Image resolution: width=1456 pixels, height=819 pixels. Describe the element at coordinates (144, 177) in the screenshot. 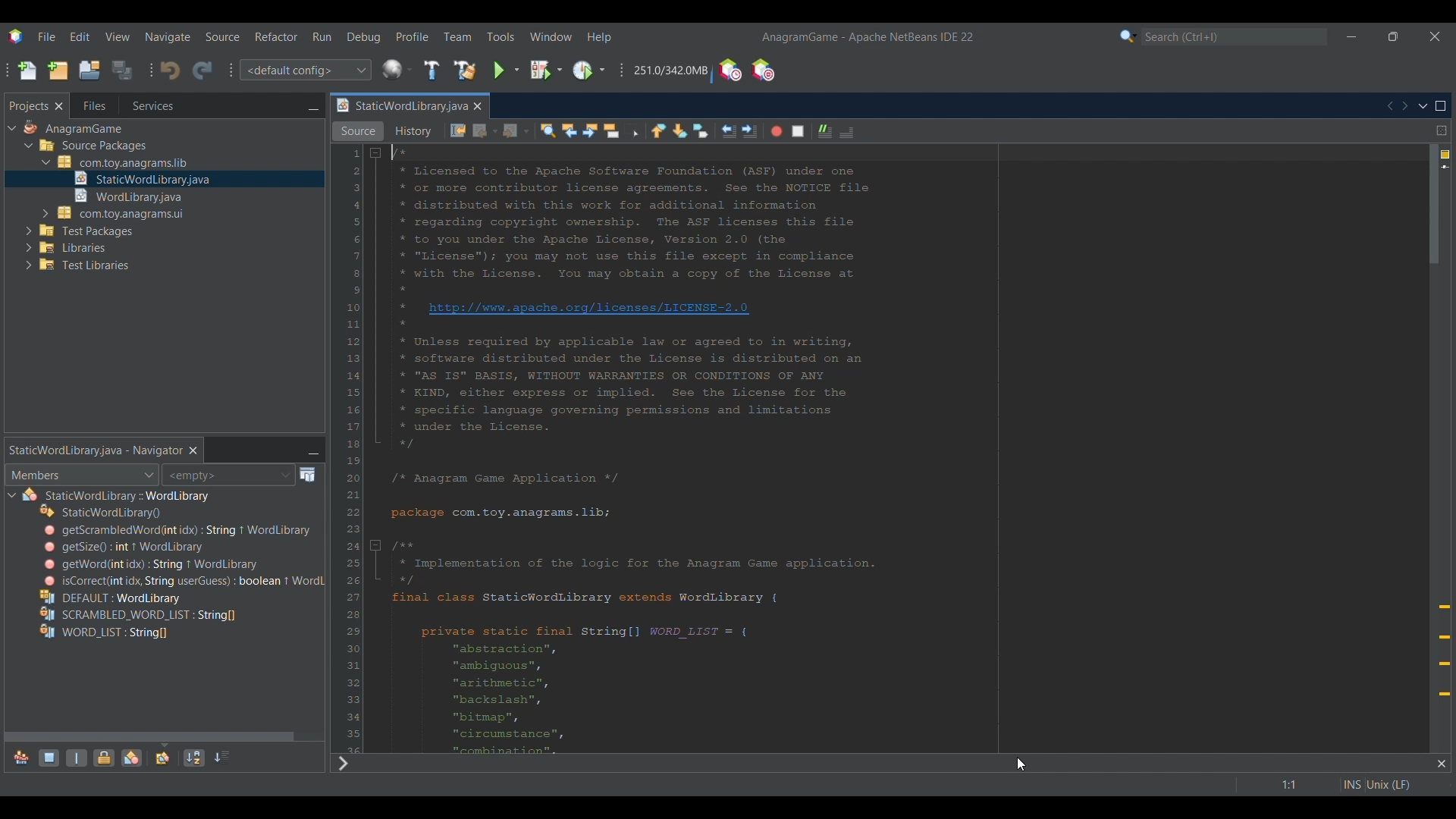

I see `` at that location.